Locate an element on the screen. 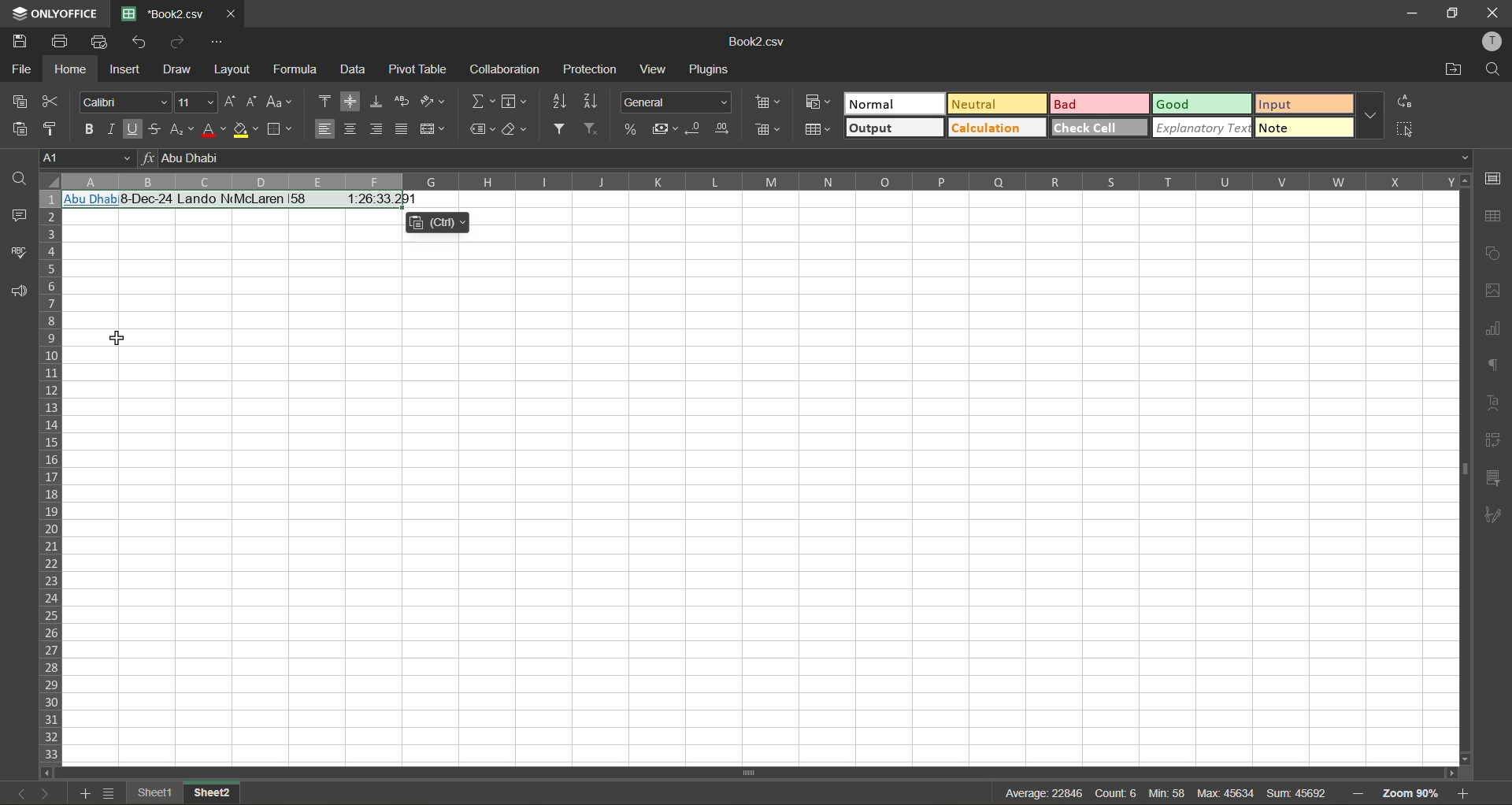 The image size is (1512, 805). increase decimal is located at coordinates (722, 129).